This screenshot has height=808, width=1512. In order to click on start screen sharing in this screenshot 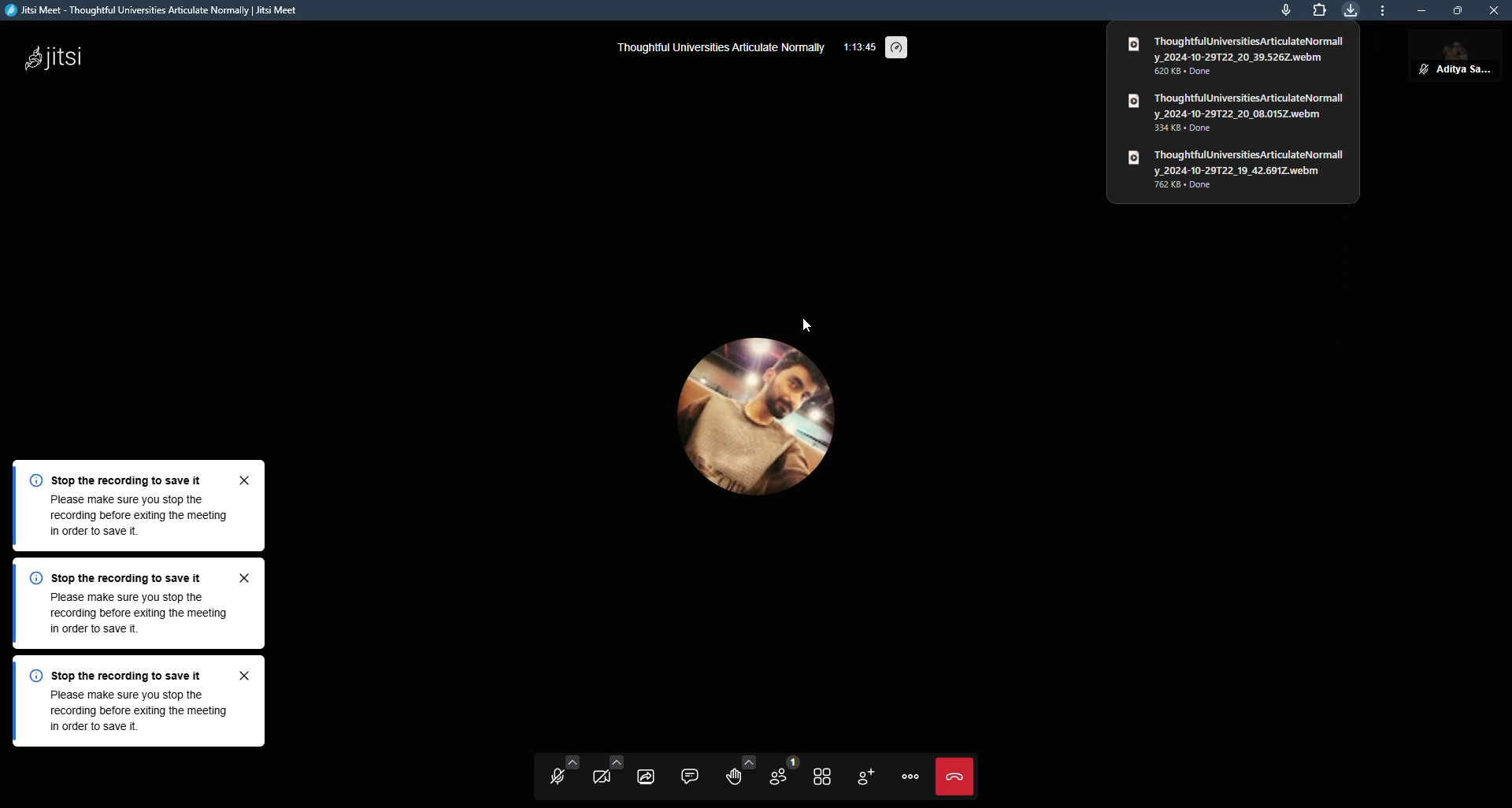, I will do `click(643, 773)`.